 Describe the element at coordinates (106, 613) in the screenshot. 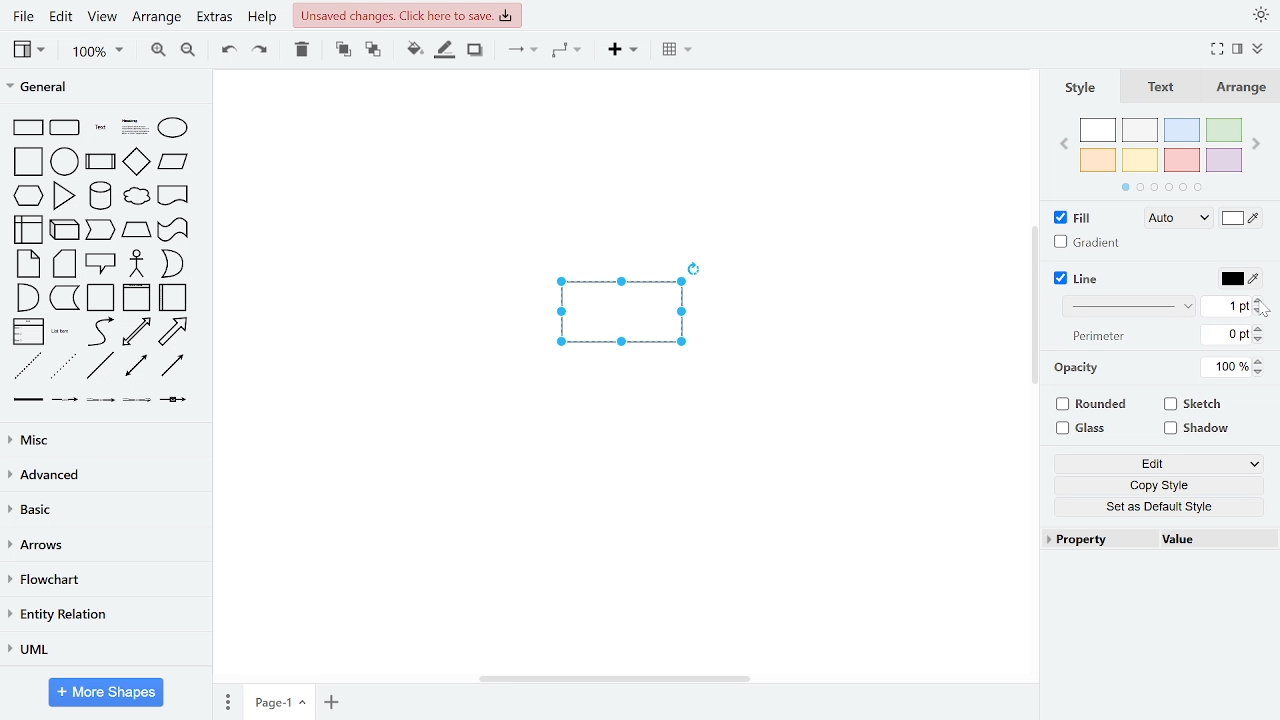

I see `entity relation` at that location.